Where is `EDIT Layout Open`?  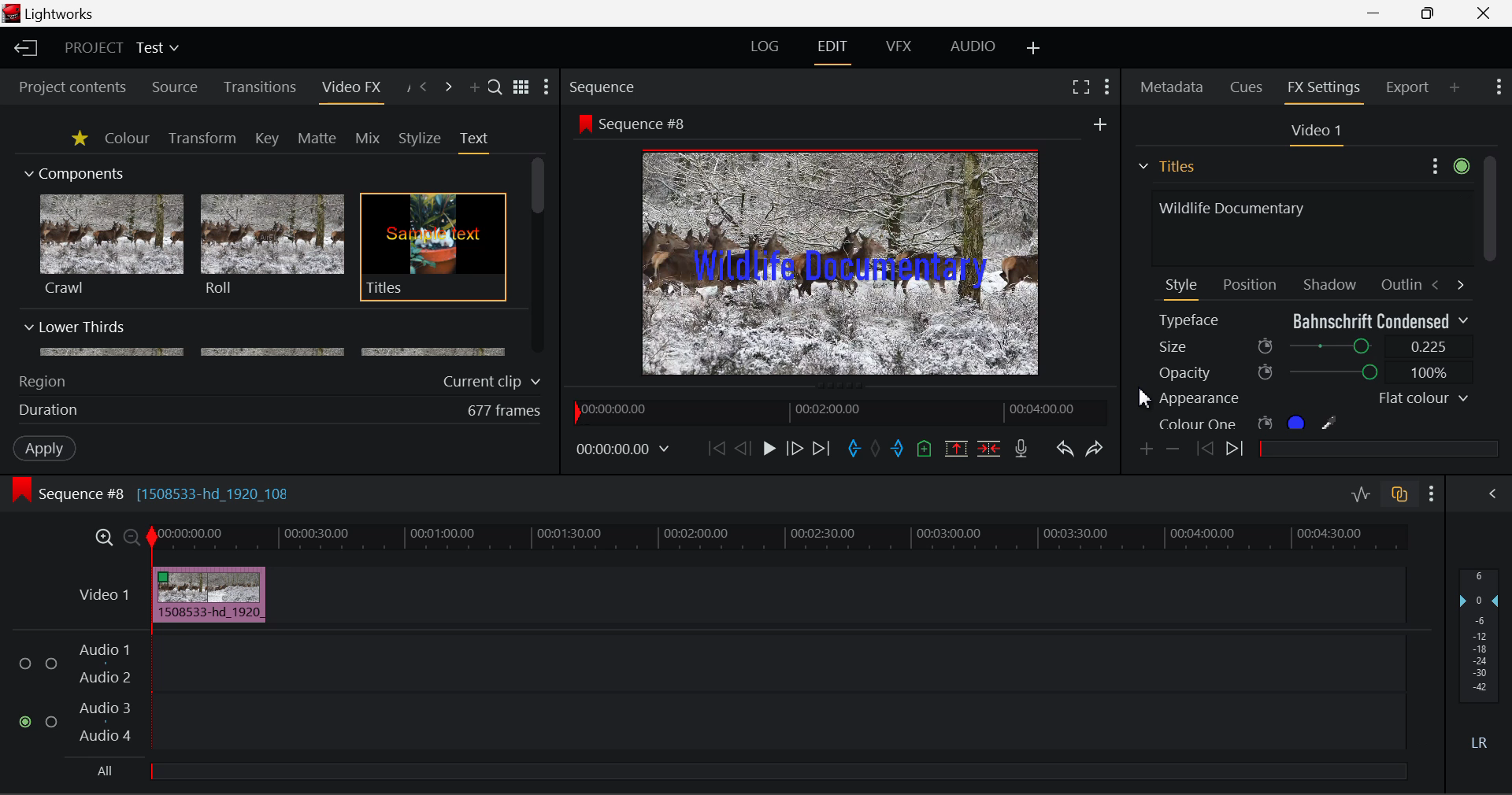
EDIT Layout Open is located at coordinates (836, 52).